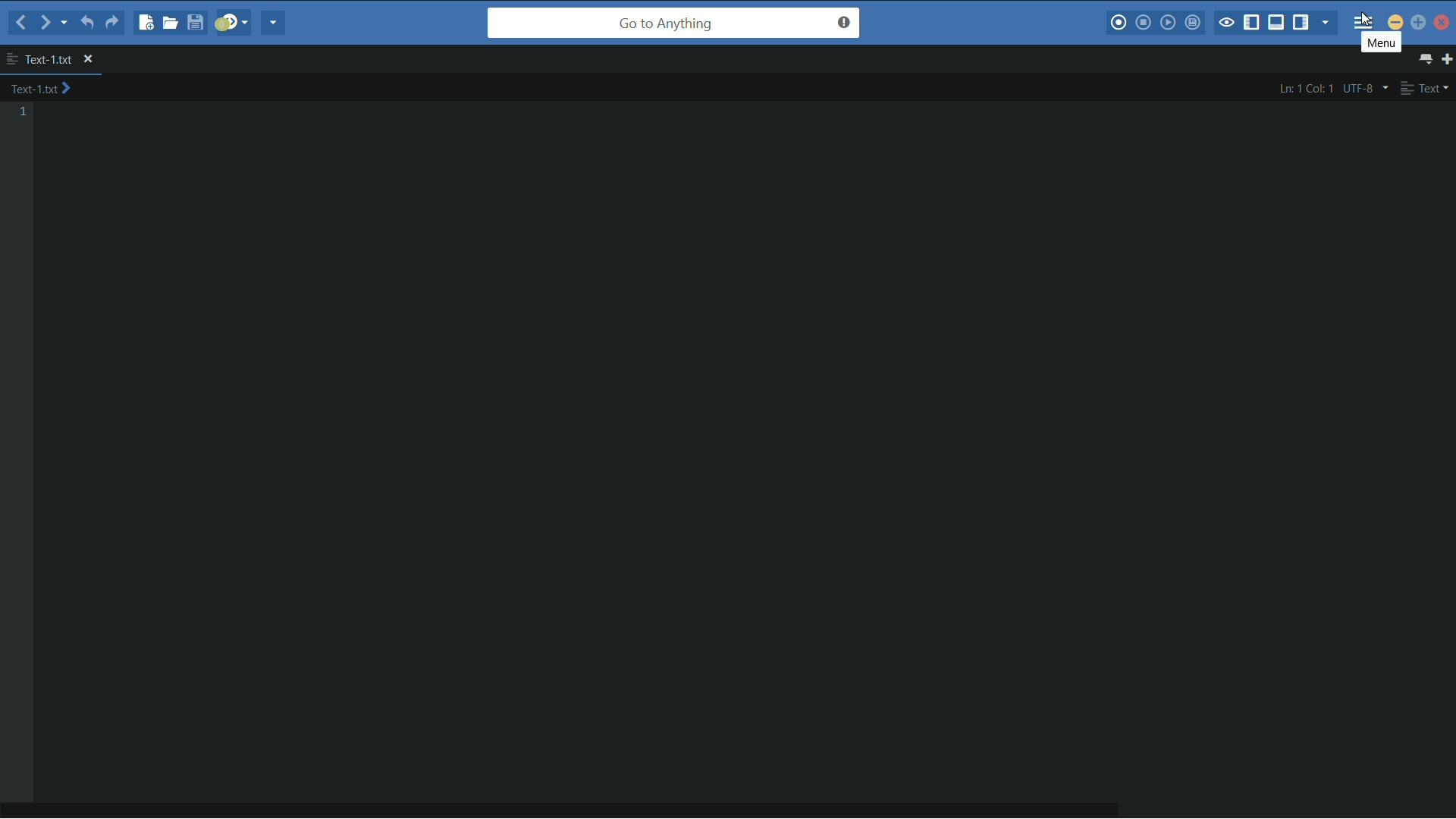 The height and width of the screenshot is (819, 1456). I want to click on minimize, so click(1395, 21).